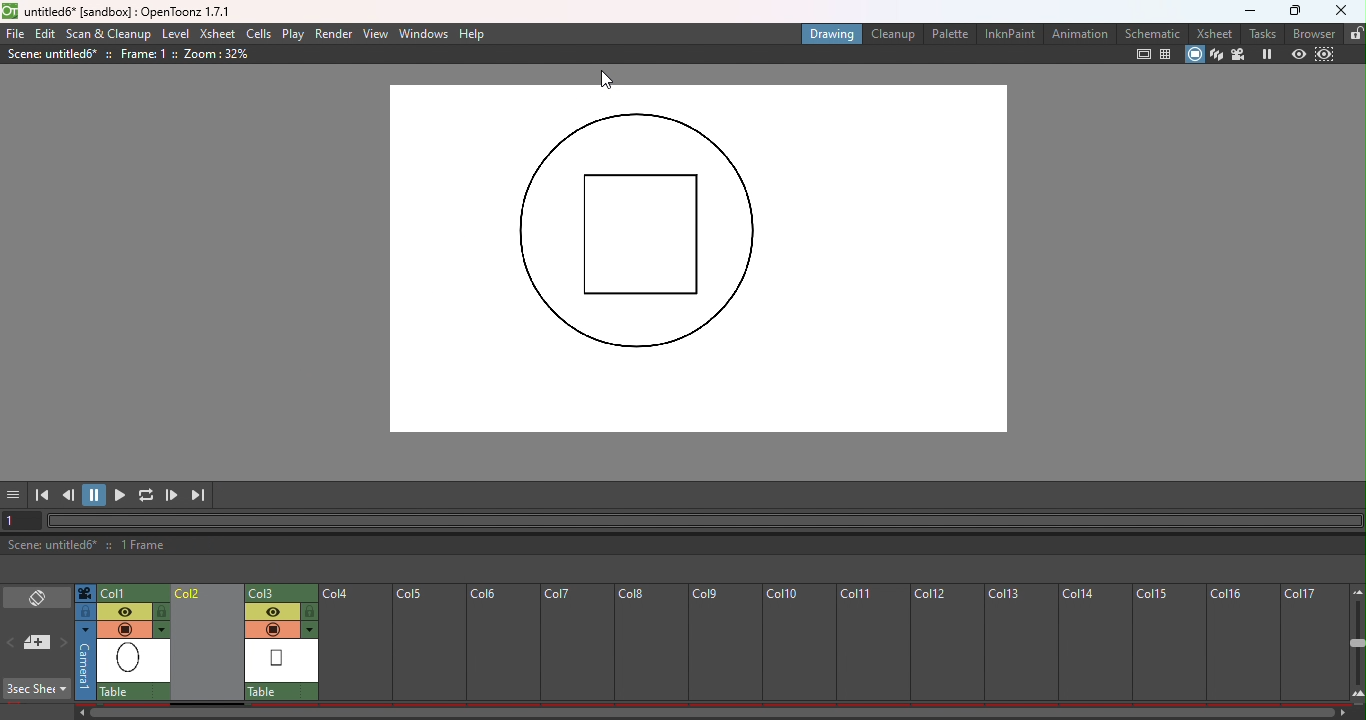 This screenshot has width=1366, height=720. What do you see at coordinates (133, 692) in the screenshot?
I see `Table` at bounding box center [133, 692].